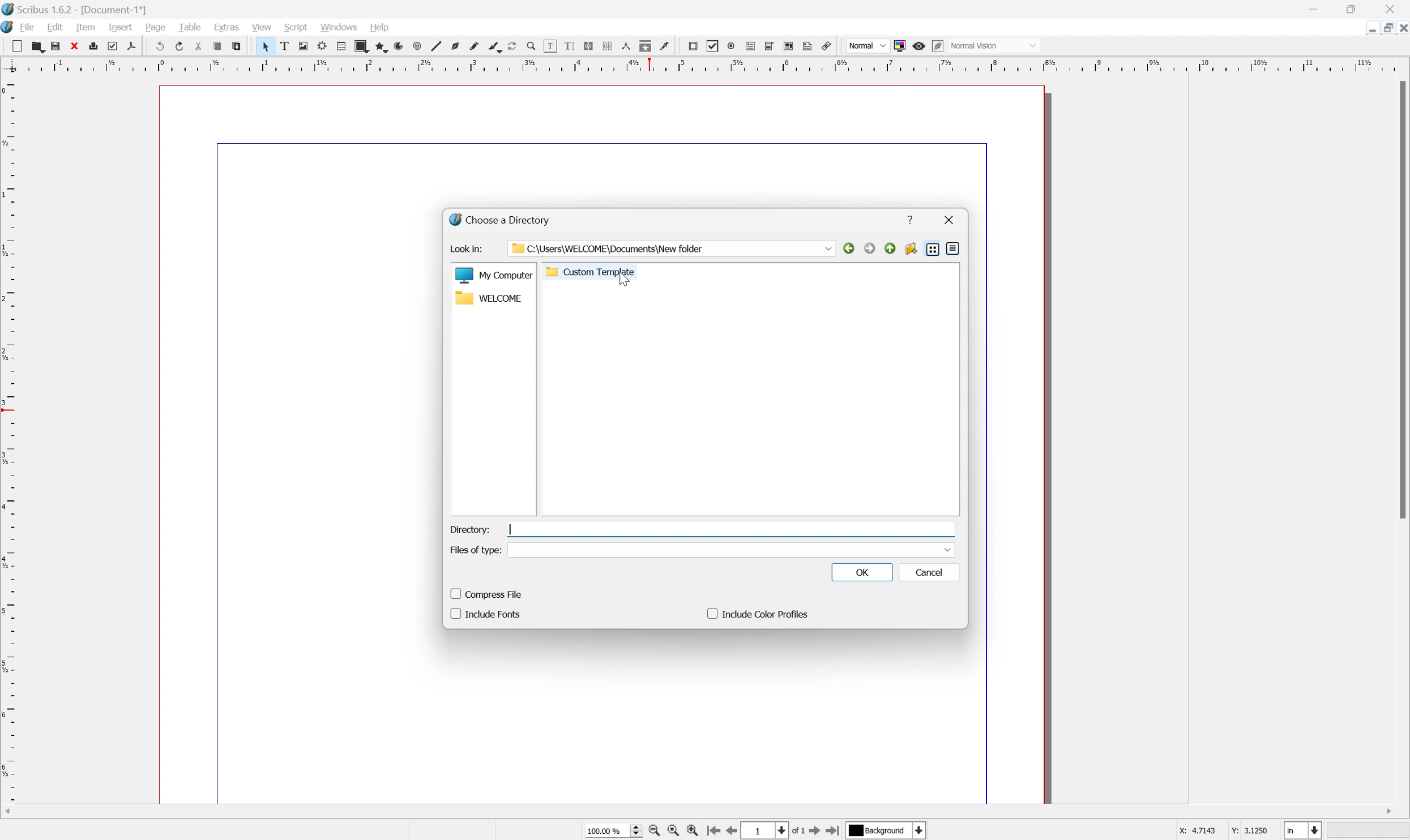 Image resolution: width=1410 pixels, height=840 pixels. Describe the element at coordinates (177, 45) in the screenshot. I see `redo` at that location.